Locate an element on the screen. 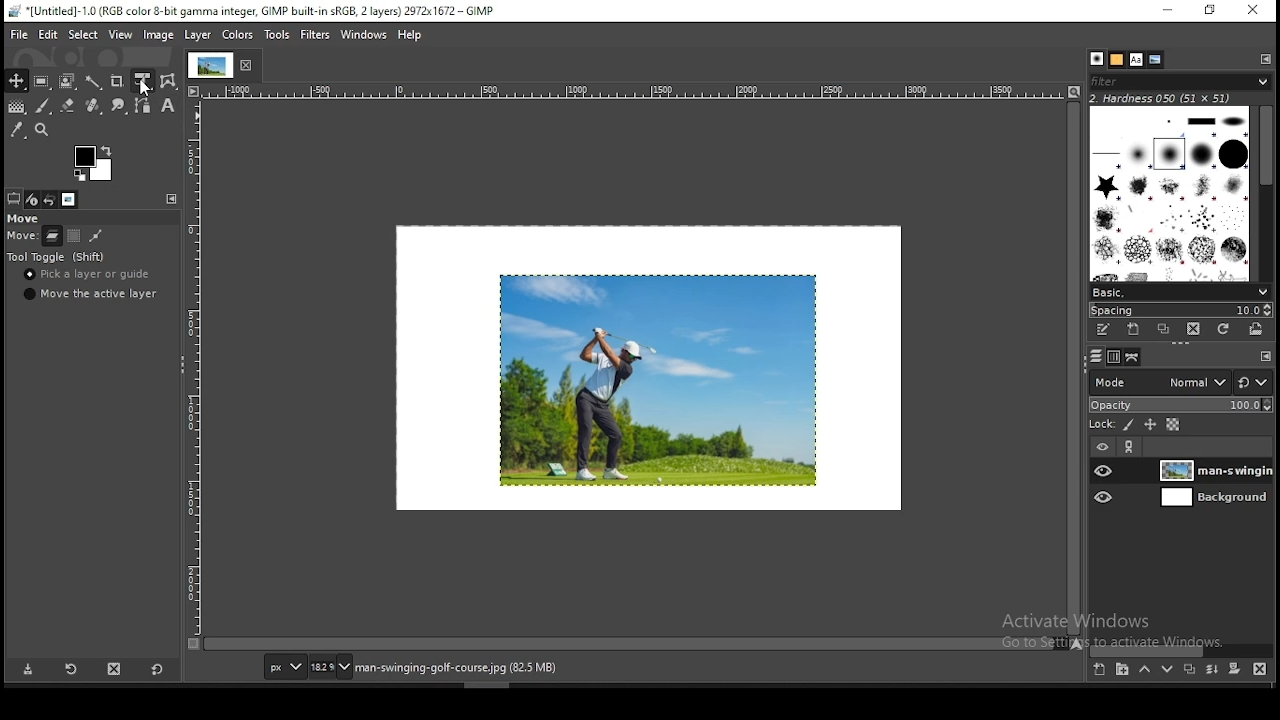 The image size is (1280, 720). foreground select tool is located at coordinates (68, 82).